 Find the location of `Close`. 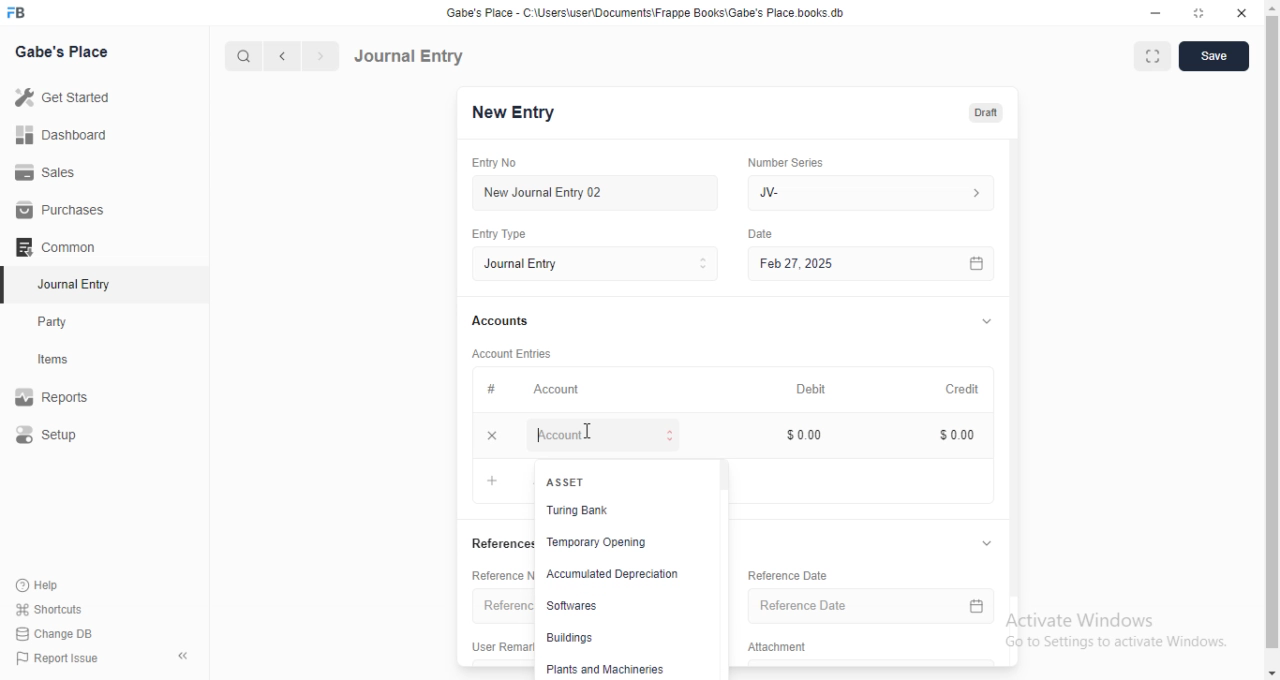

Close is located at coordinates (1241, 13).